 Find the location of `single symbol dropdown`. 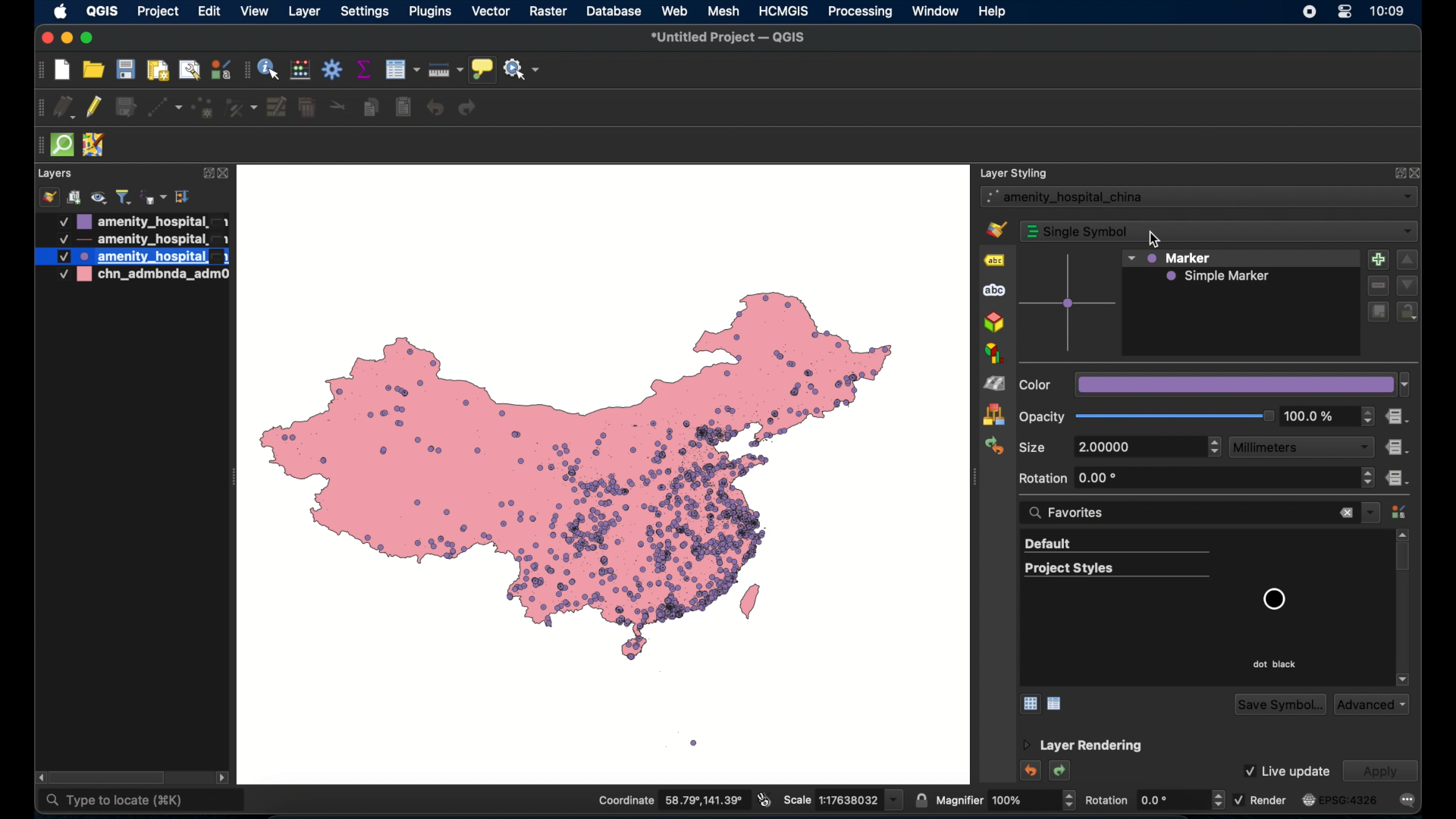

single symbol dropdown is located at coordinates (1219, 231).